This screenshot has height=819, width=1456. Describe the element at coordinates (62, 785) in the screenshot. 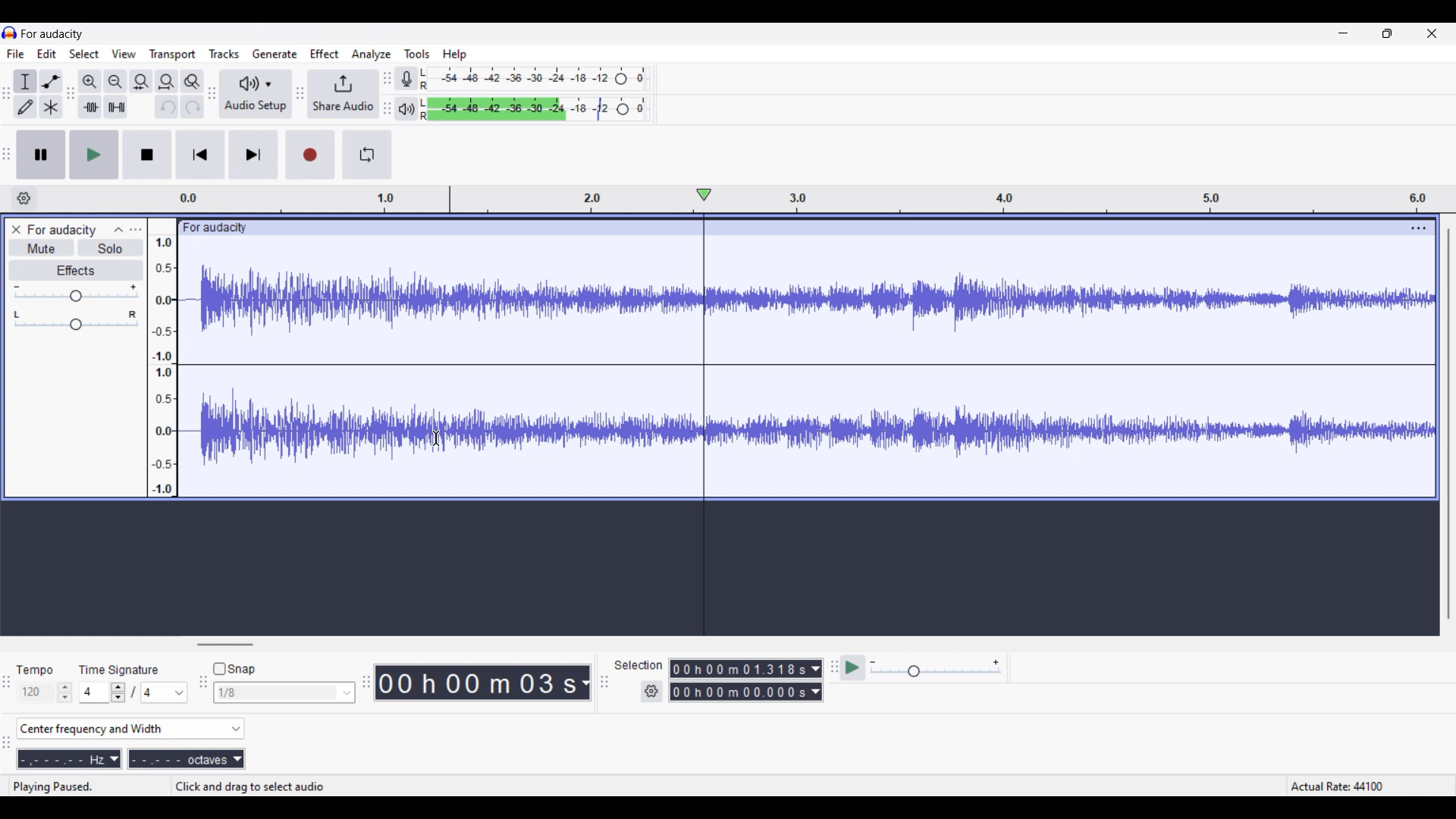

I see `Status of sound` at that location.